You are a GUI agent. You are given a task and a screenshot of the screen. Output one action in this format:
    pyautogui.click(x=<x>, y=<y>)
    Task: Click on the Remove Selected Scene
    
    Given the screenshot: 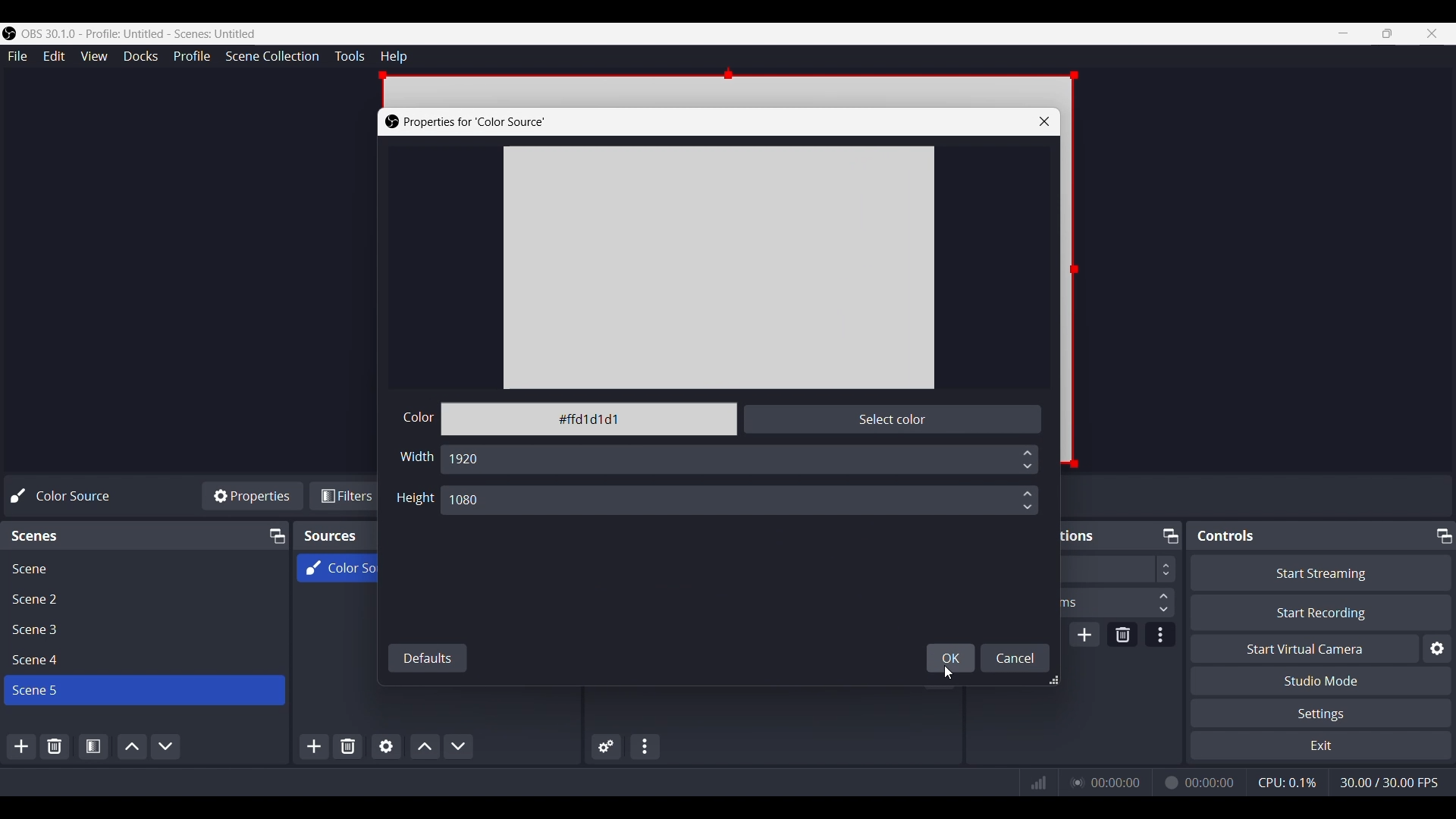 What is the action you would take?
    pyautogui.click(x=55, y=745)
    